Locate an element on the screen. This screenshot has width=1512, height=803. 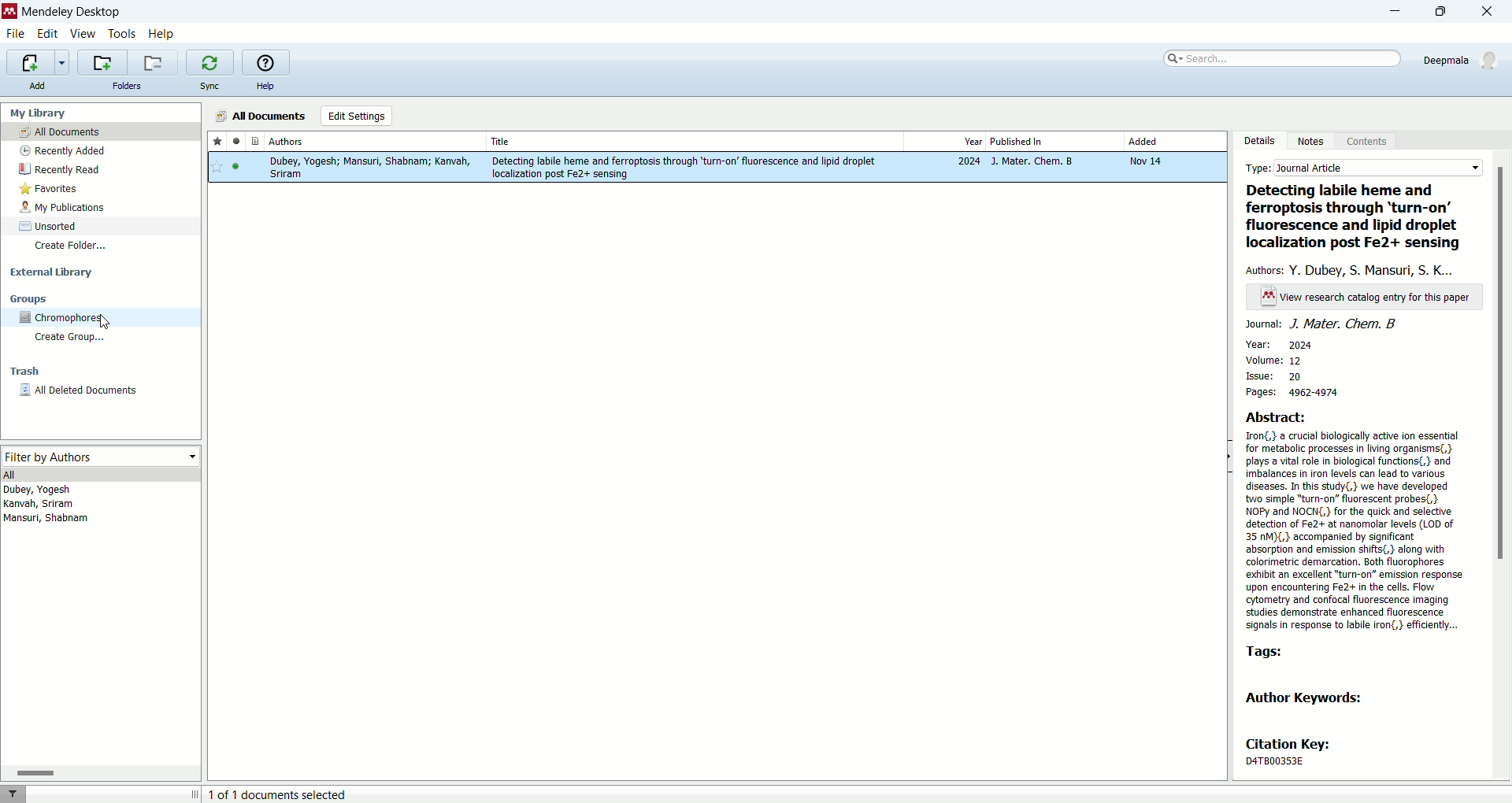
type is located at coordinates (1365, 169).